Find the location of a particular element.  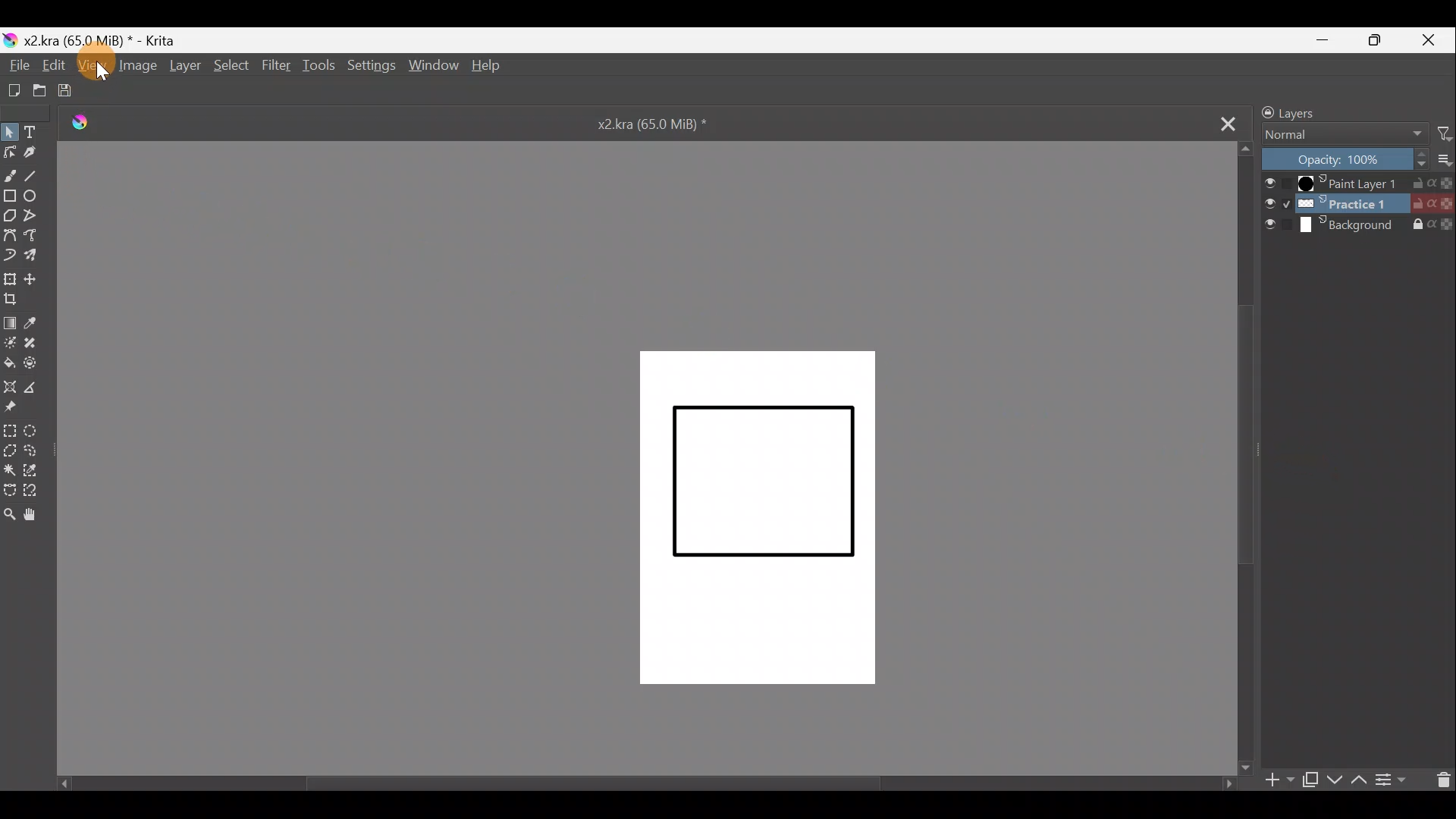

Settings is located at coordinates (371, 64).